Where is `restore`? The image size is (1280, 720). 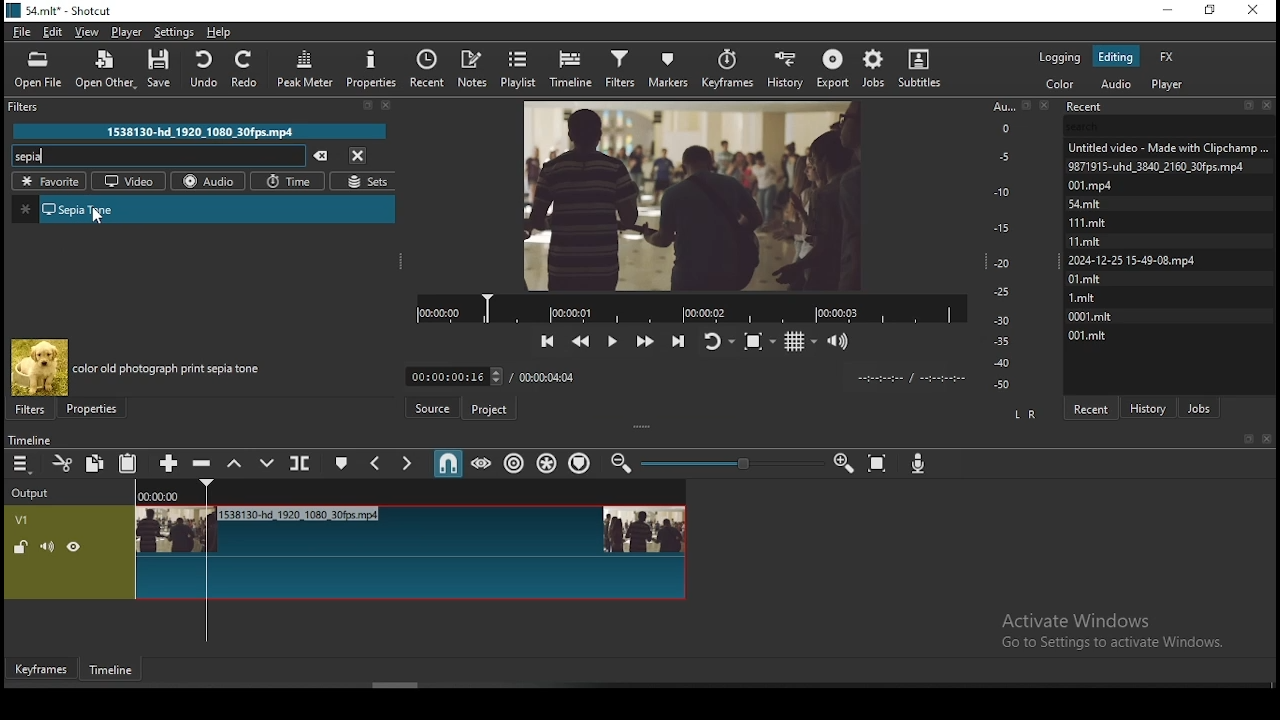 restore is located at coordinates (1210, 11).